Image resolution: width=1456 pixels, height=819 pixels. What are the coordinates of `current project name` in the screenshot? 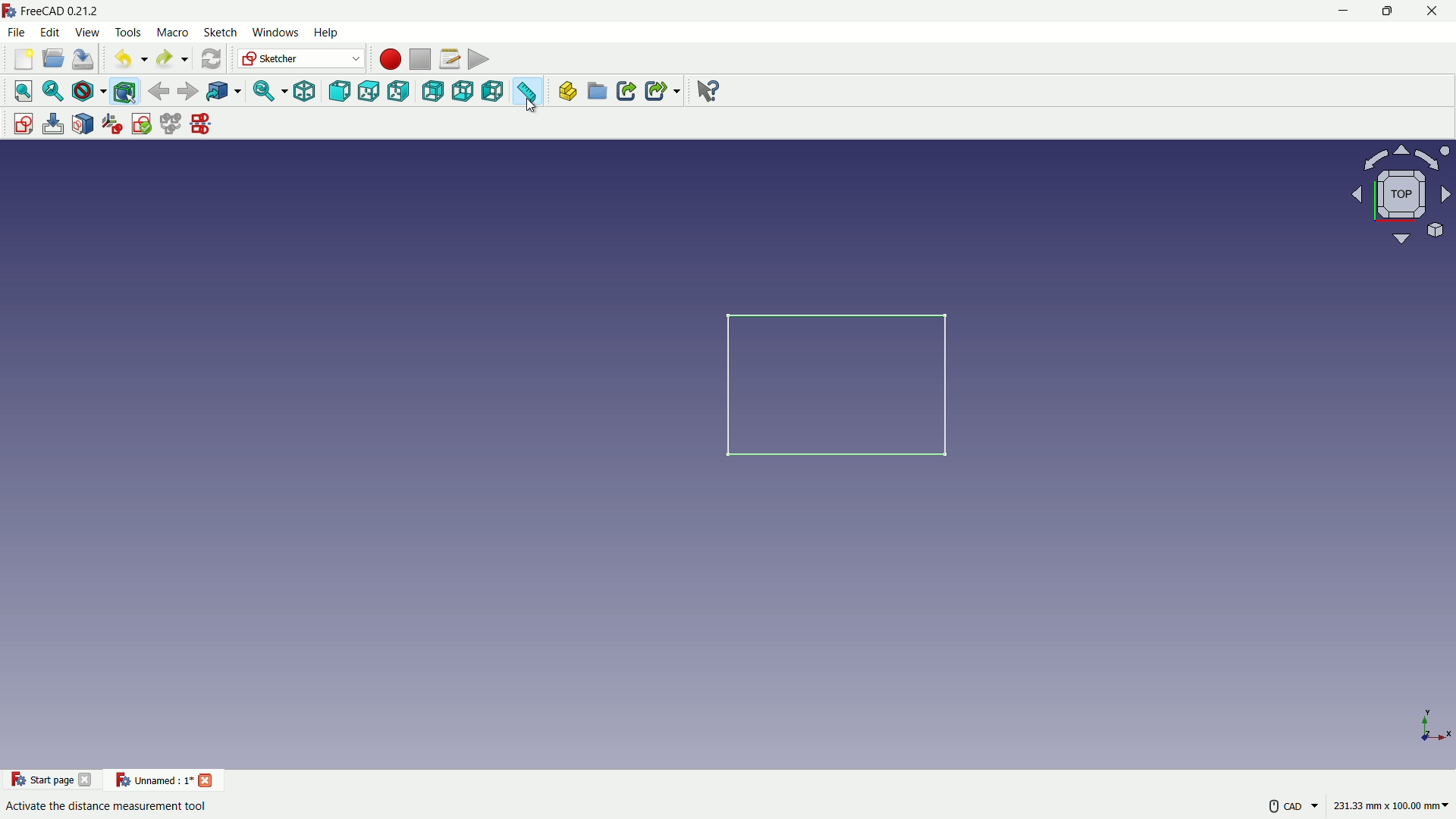 It's located at (152, 780).